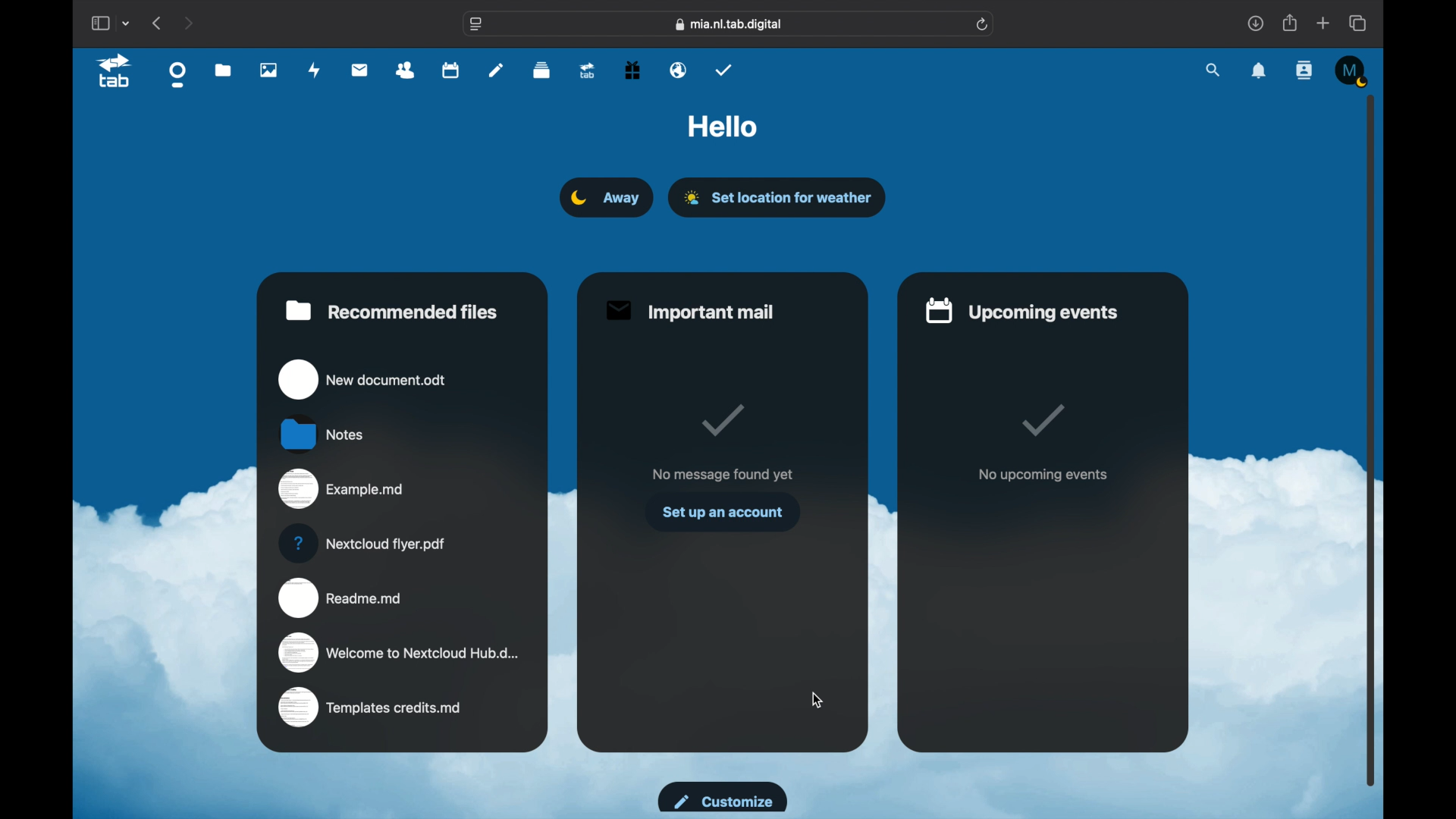 This screenshot has height=819, width=1456. Describe the element at coordinates (1214, 71) in the screenshot. I see `search` at that location.